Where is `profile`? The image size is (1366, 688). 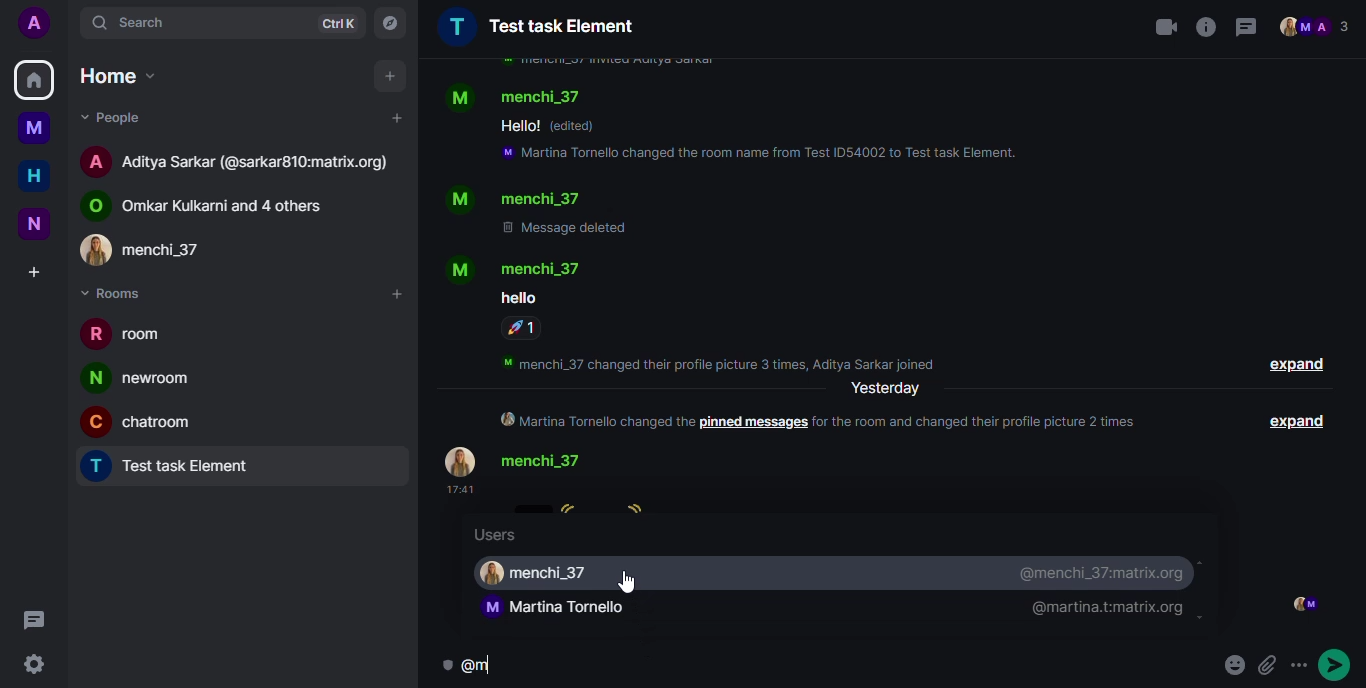
profile is located at coordinates (34, 24).